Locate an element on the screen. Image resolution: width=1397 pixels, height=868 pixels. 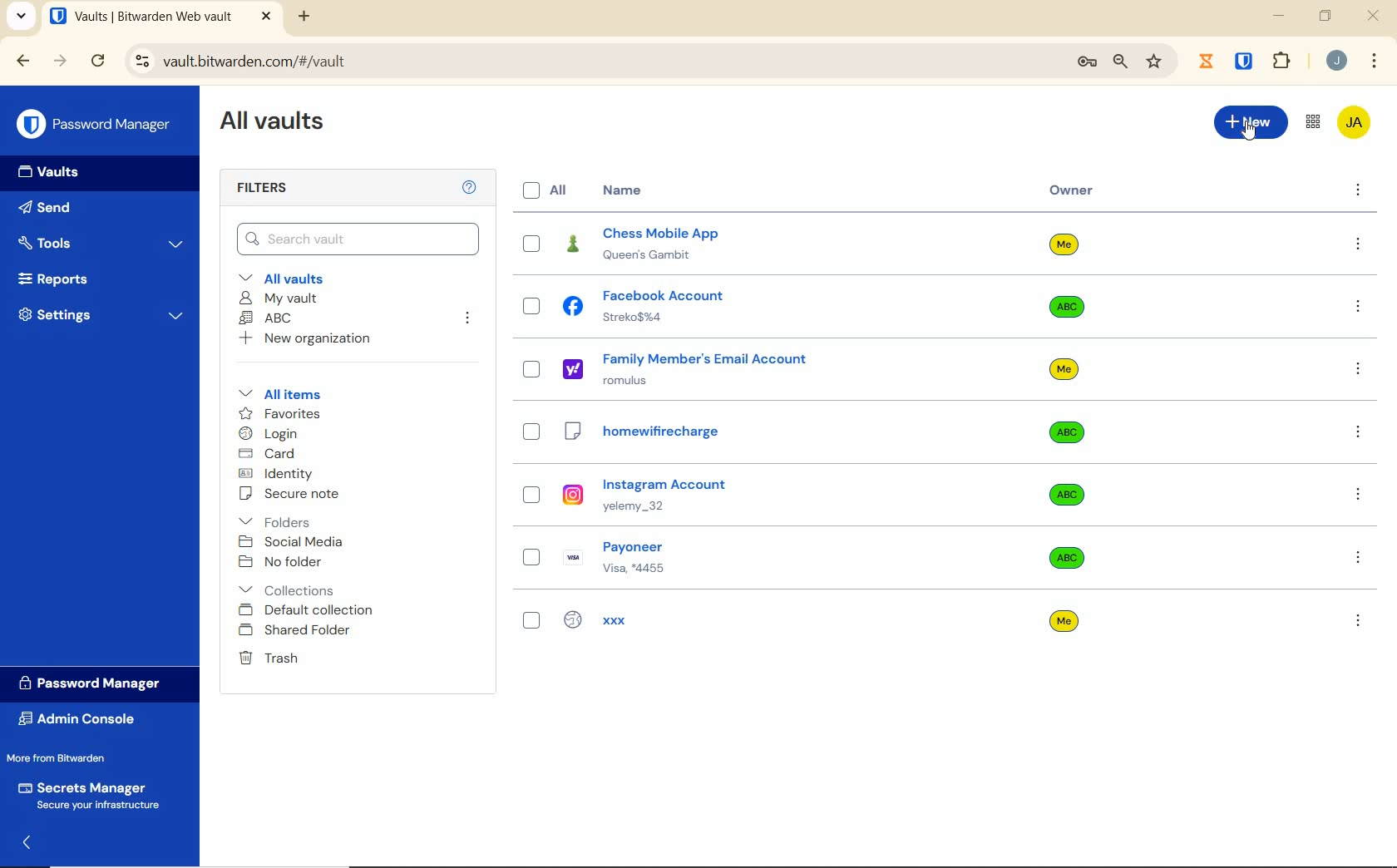
FORWARD is located at coordinates (61, 62).